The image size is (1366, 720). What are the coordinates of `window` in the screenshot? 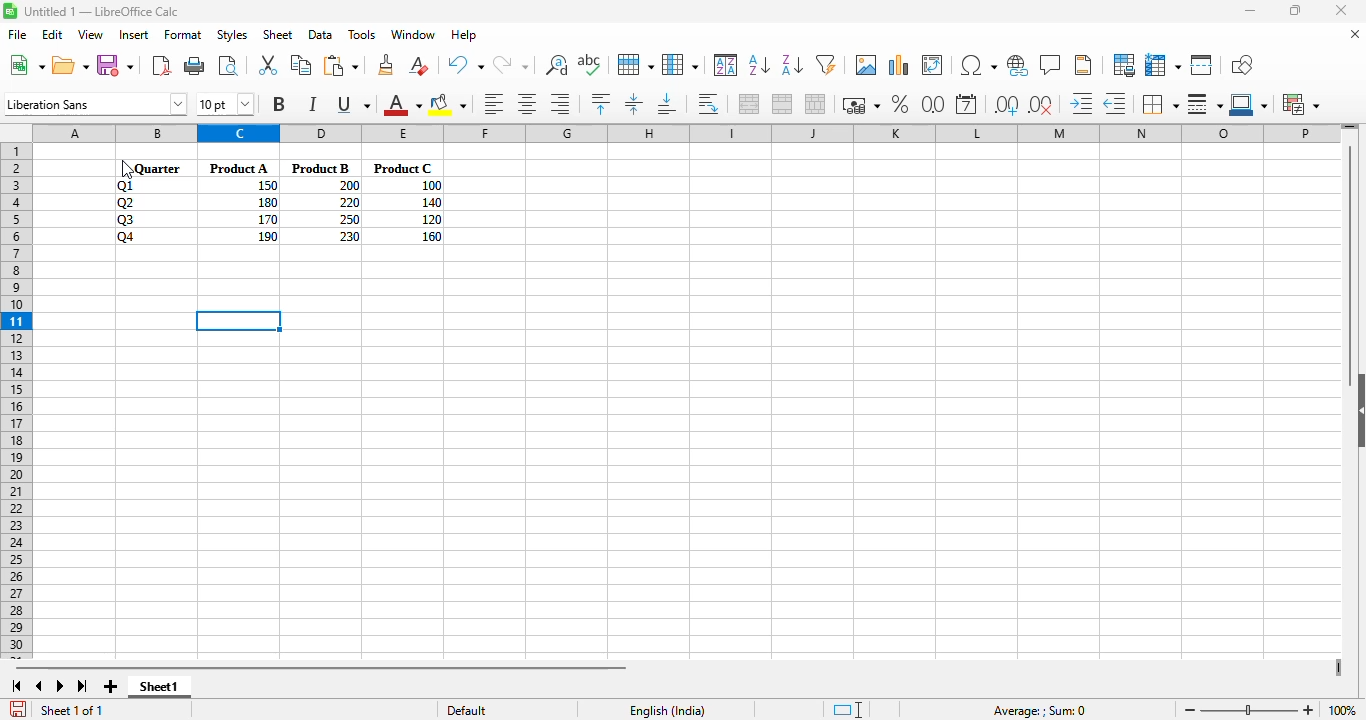 It's located at (413, 34).